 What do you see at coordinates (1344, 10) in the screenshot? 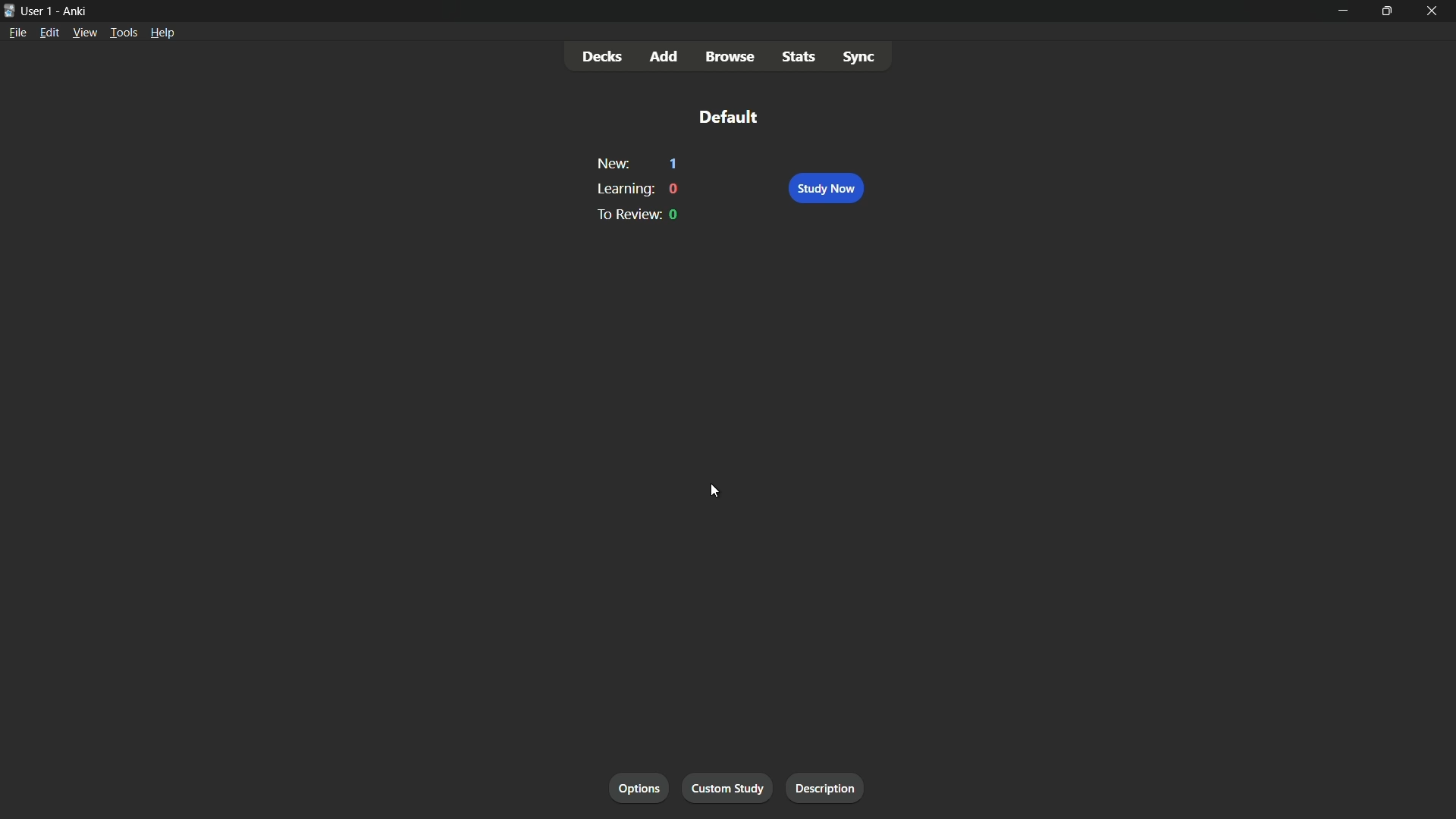
I see `minimize` at bounding box center [1344, 10].